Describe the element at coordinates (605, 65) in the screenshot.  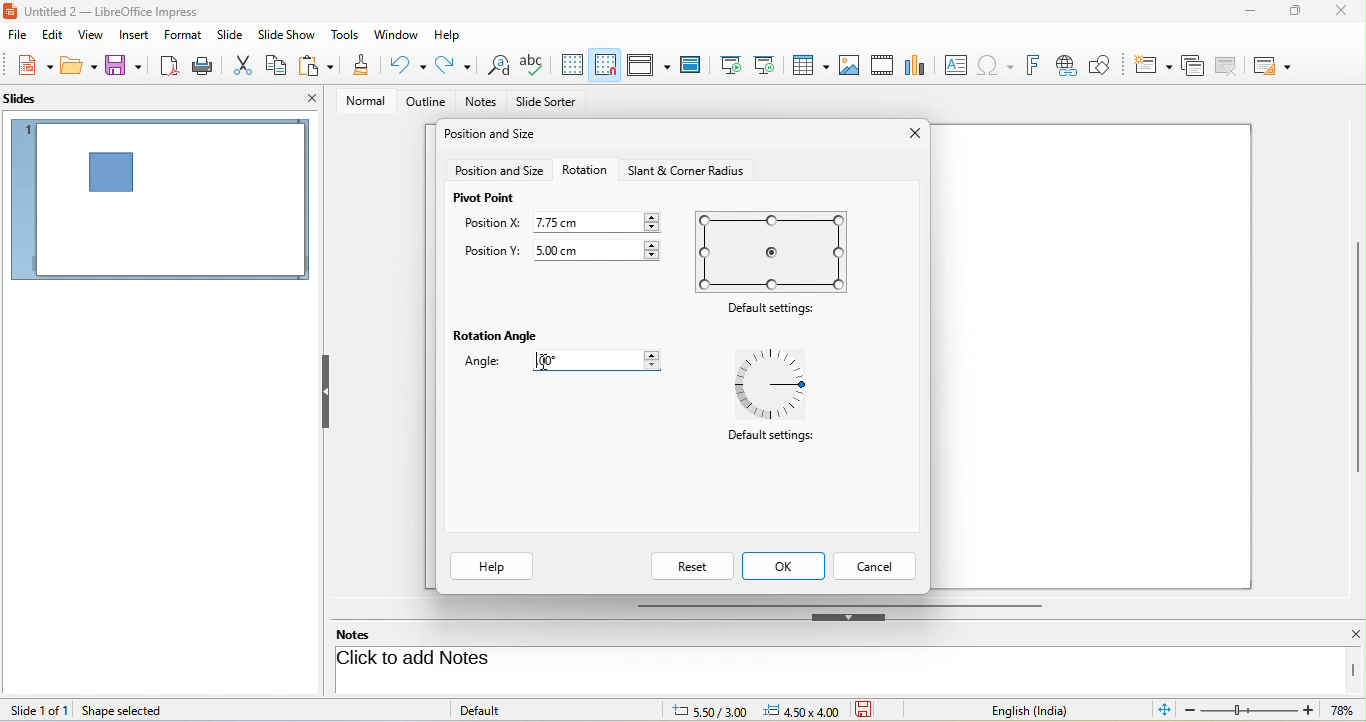
I see `snap to grid` at that location.